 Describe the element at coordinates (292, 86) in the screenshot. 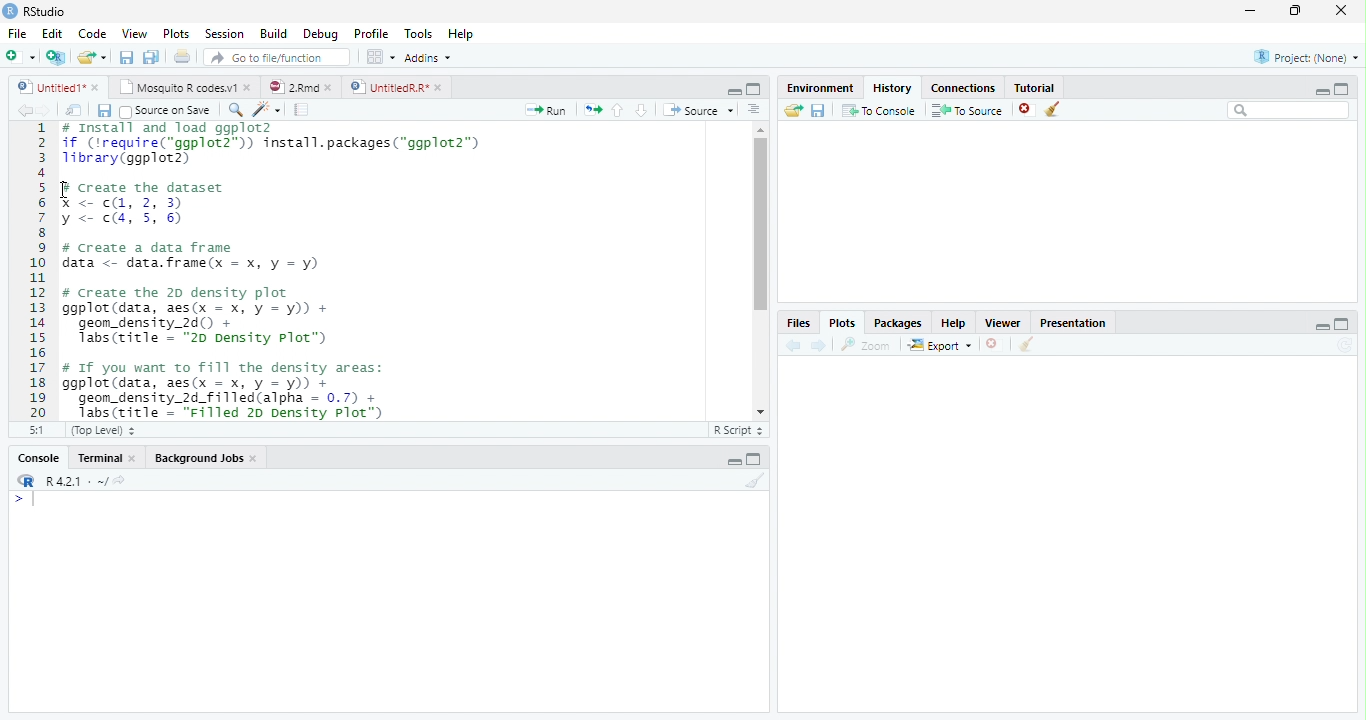

I see `2Rmd` at that location.